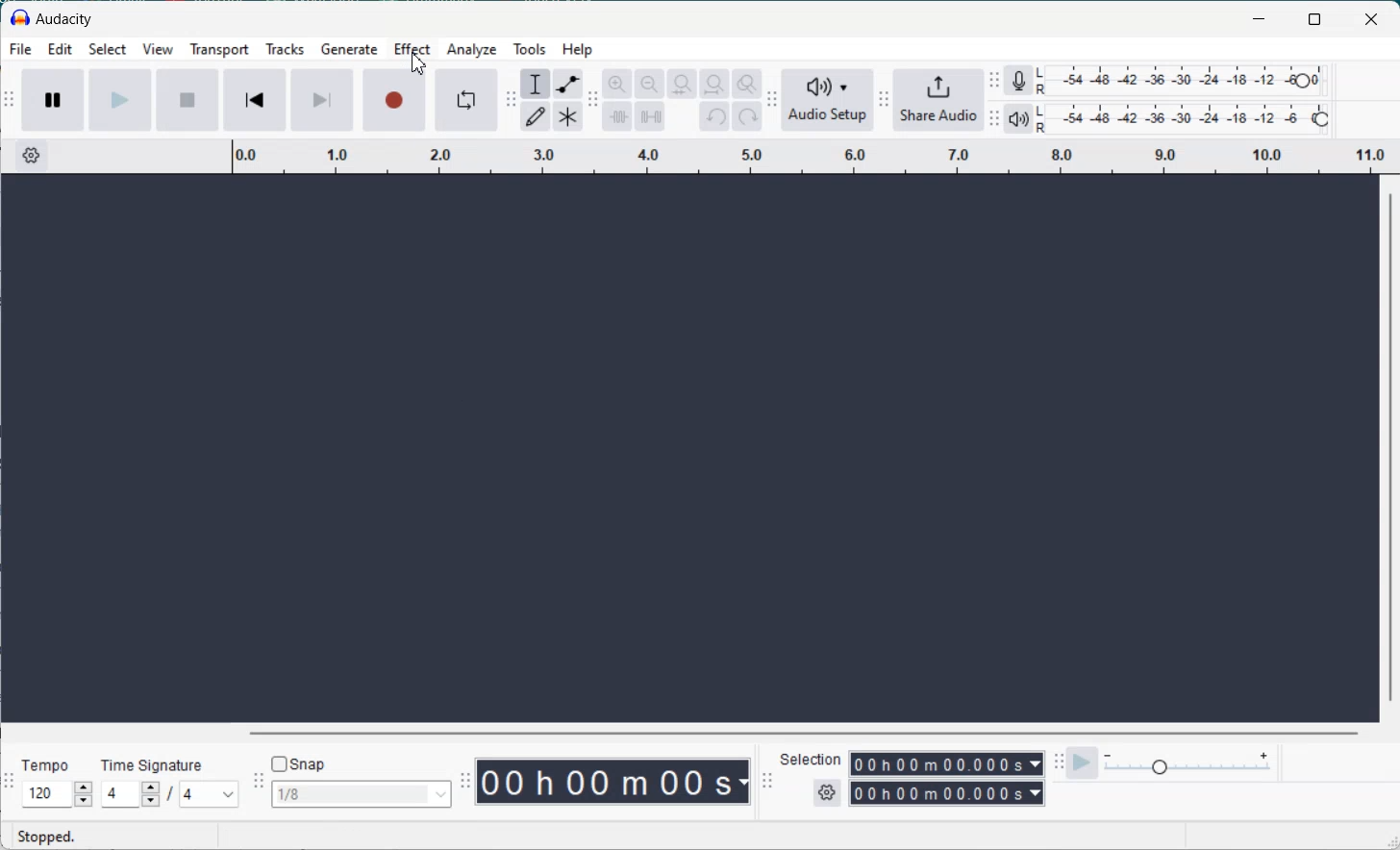  Describe the element at coordinates (418, 63) in the screenshot. I see `Cursor` at that location.